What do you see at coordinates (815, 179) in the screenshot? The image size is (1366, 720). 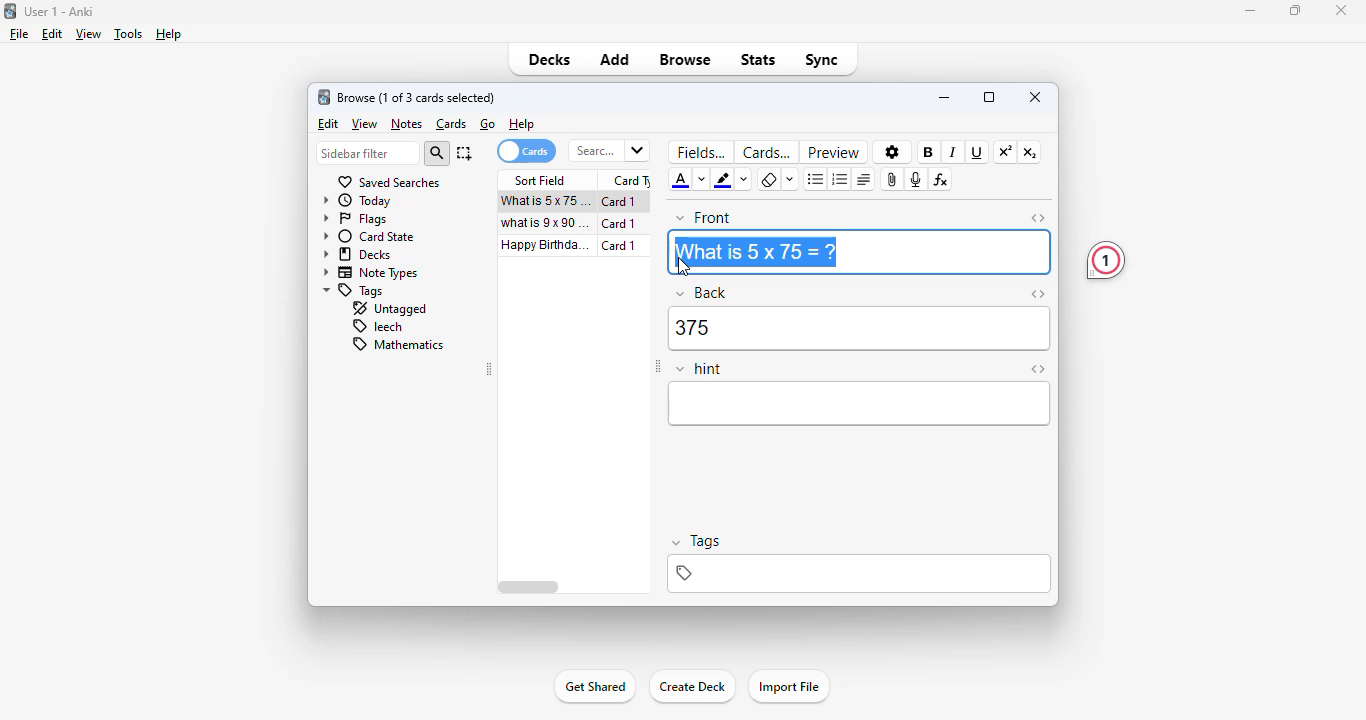 I see `unordered list` at bounding box center [815, 179].